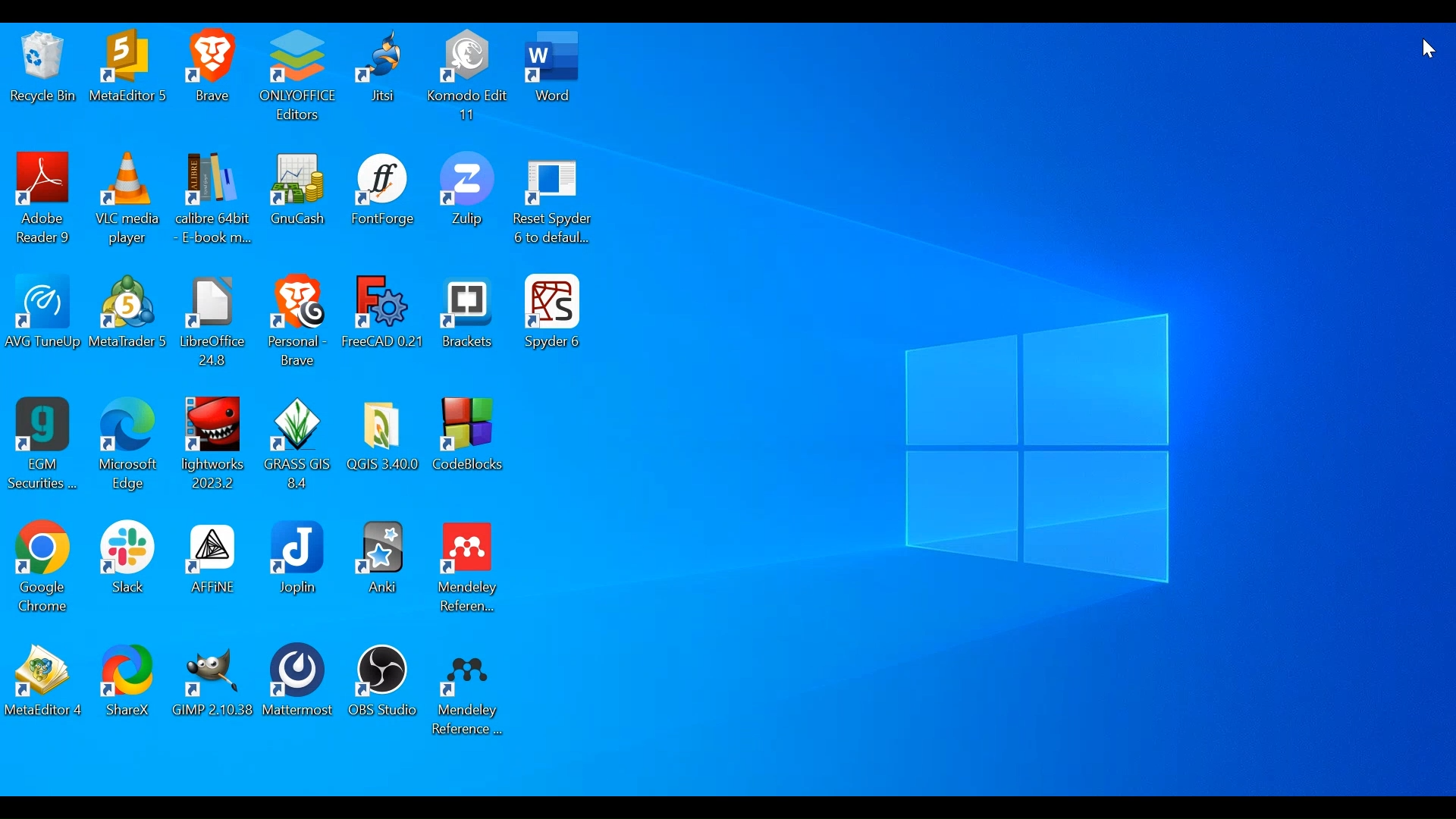  What do you see at coordinates (129, 447) in the screenshot?
I see `Microsoft Edge ` at bounding box center [129, 447].